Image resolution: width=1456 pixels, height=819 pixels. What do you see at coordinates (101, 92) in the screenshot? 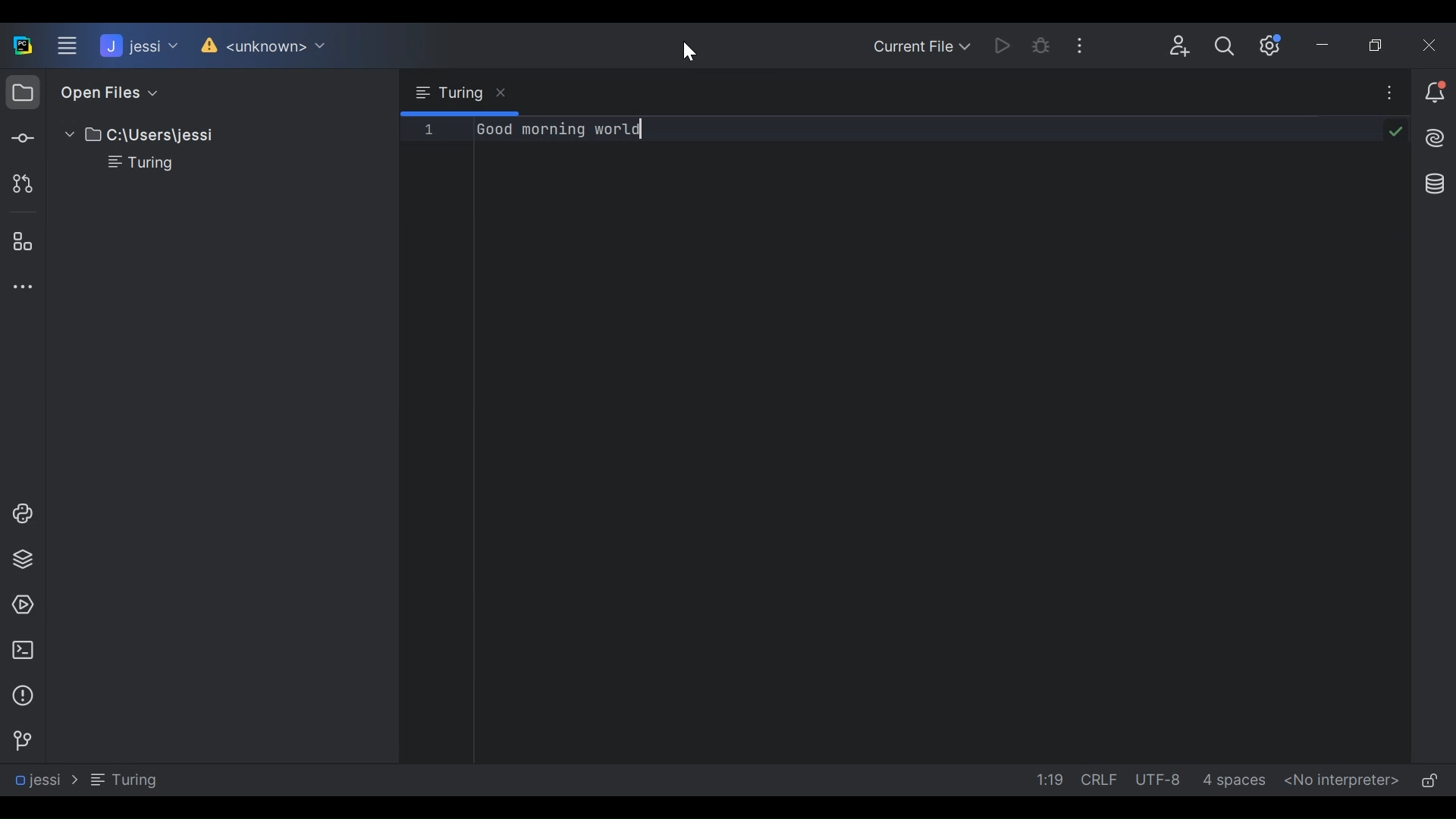
I see `Open Files` at bounding box center [101, 92].